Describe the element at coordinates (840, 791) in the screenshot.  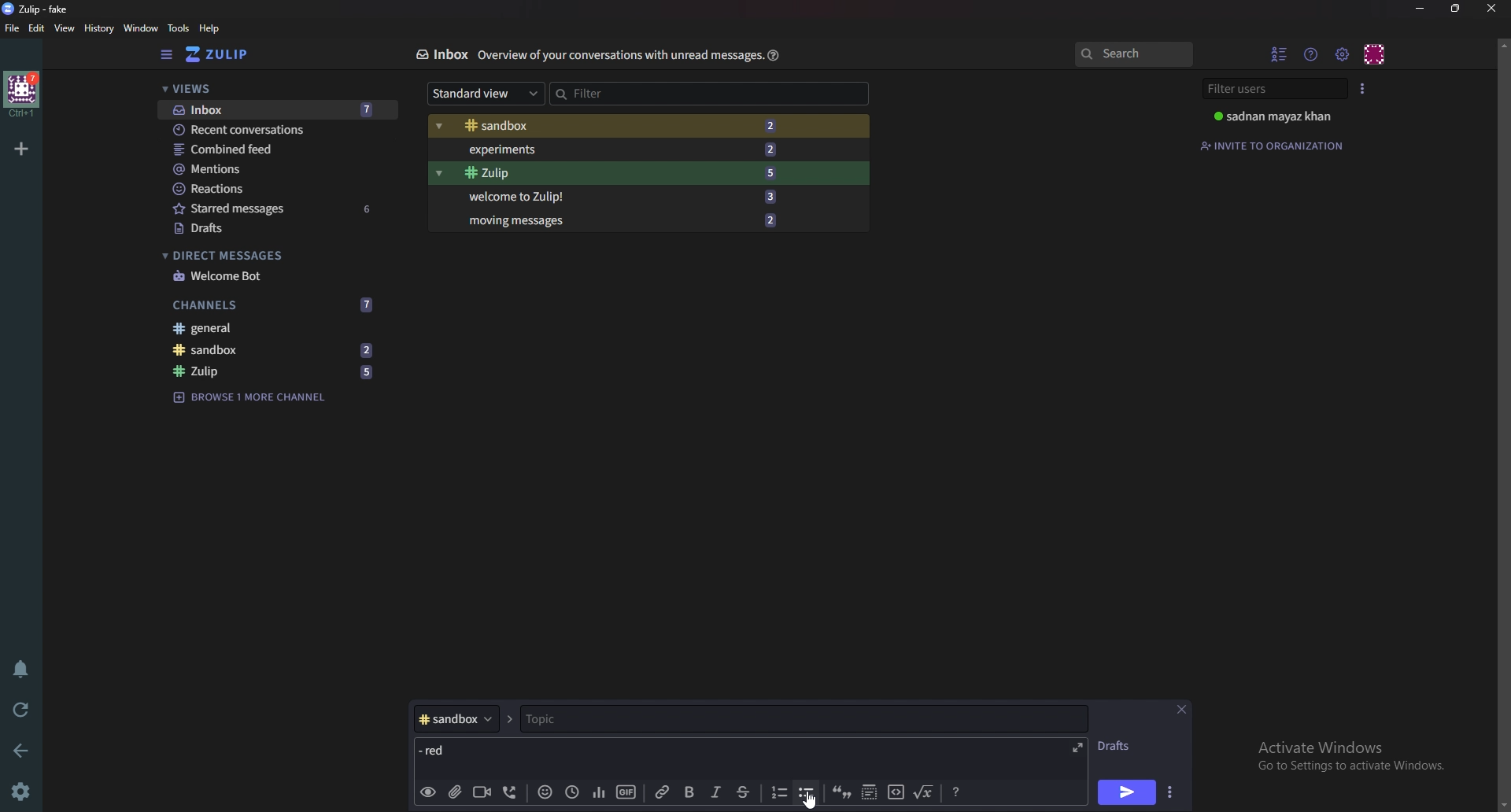
I see `quote` at that location.